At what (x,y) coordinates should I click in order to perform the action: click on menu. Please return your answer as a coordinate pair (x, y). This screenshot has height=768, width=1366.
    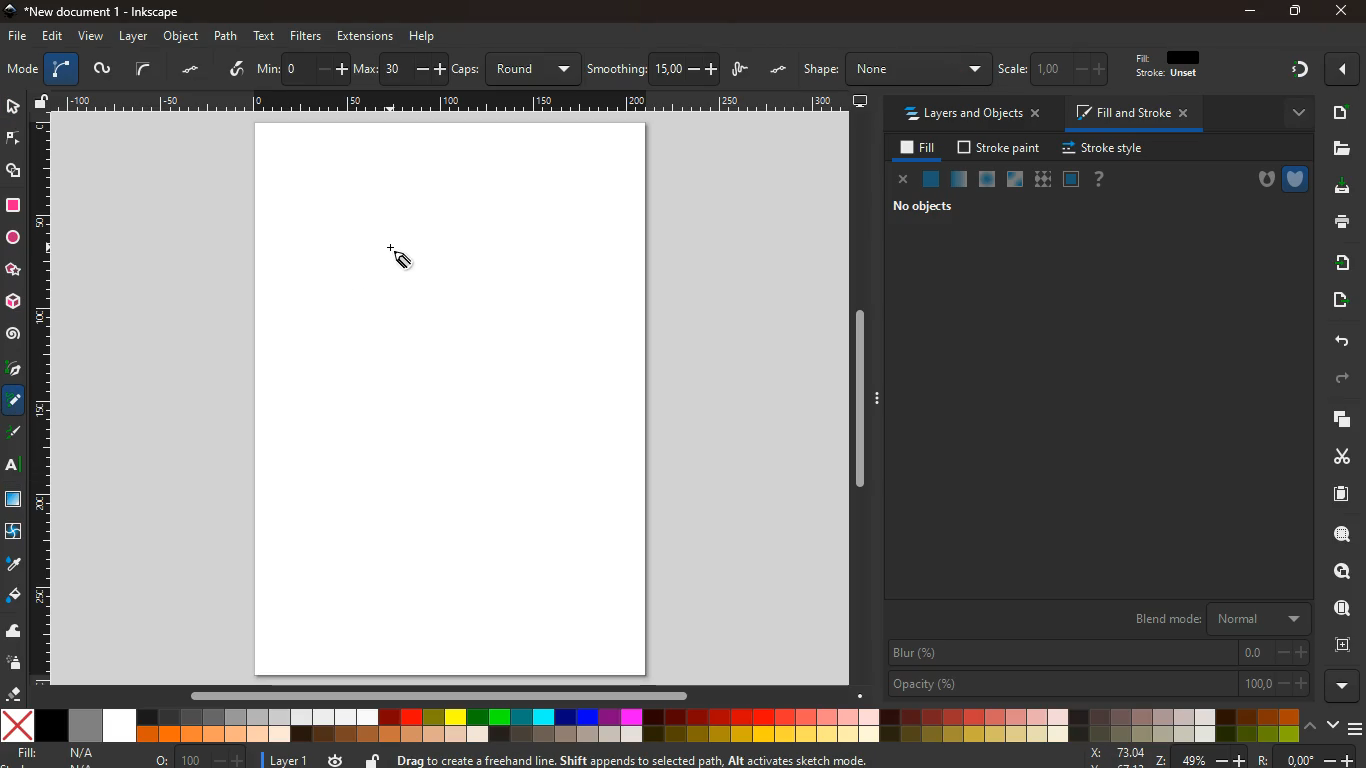
    Looking at the image, I should click on (1357, 729).